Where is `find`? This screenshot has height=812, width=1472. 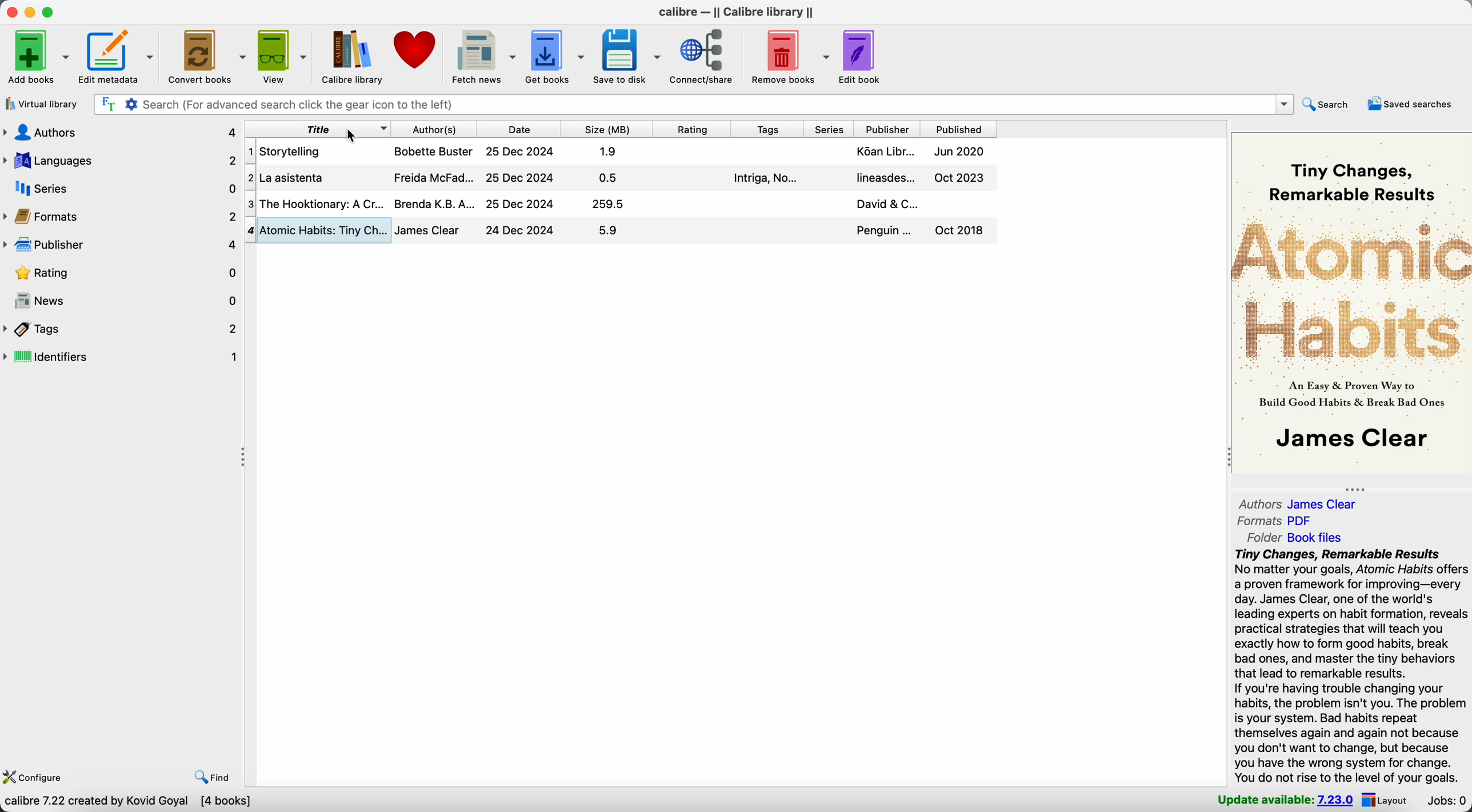
find is located at coordinates (213, 775).